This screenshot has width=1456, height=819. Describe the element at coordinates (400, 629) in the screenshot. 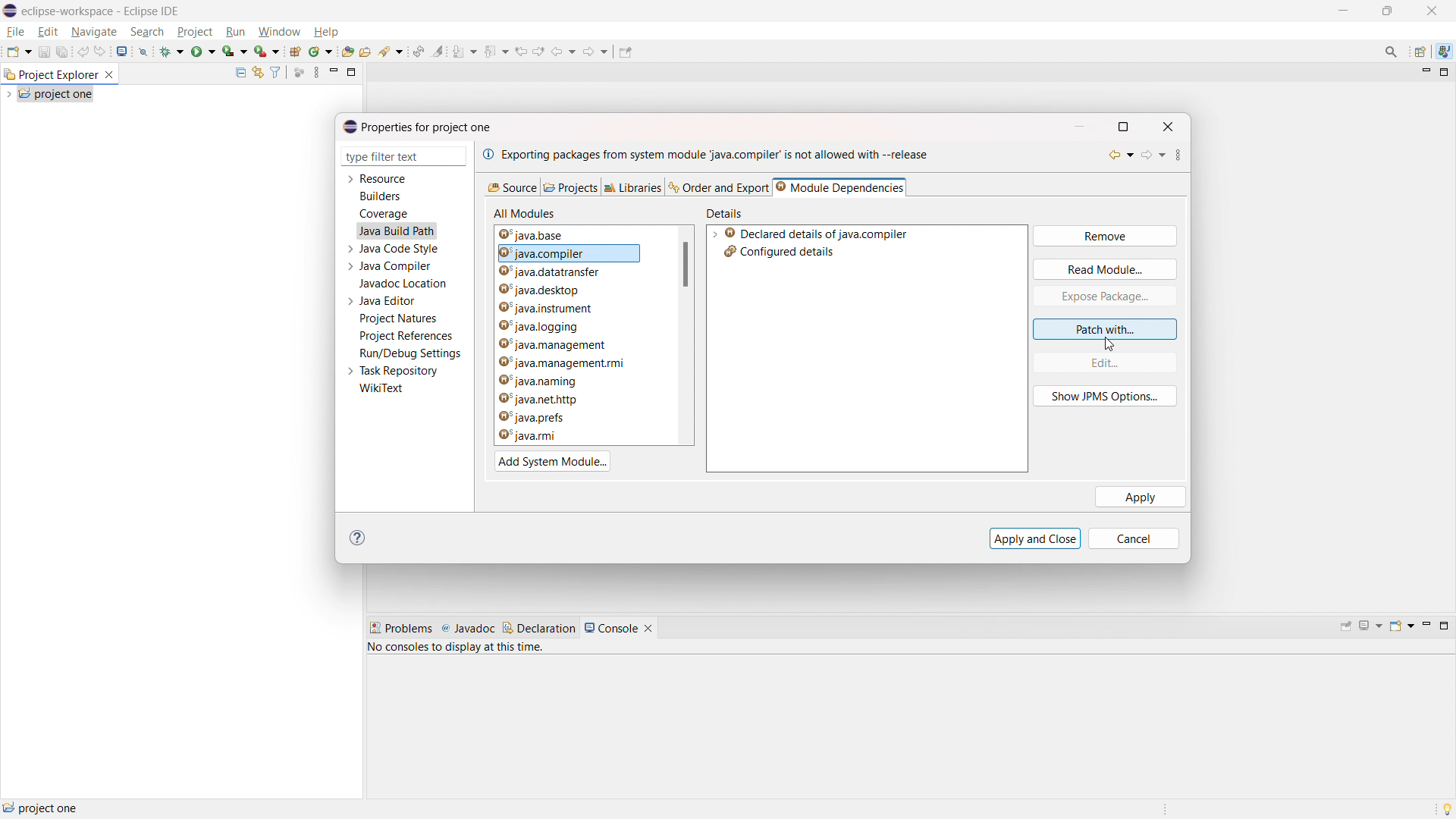

I see `problems` at that location.